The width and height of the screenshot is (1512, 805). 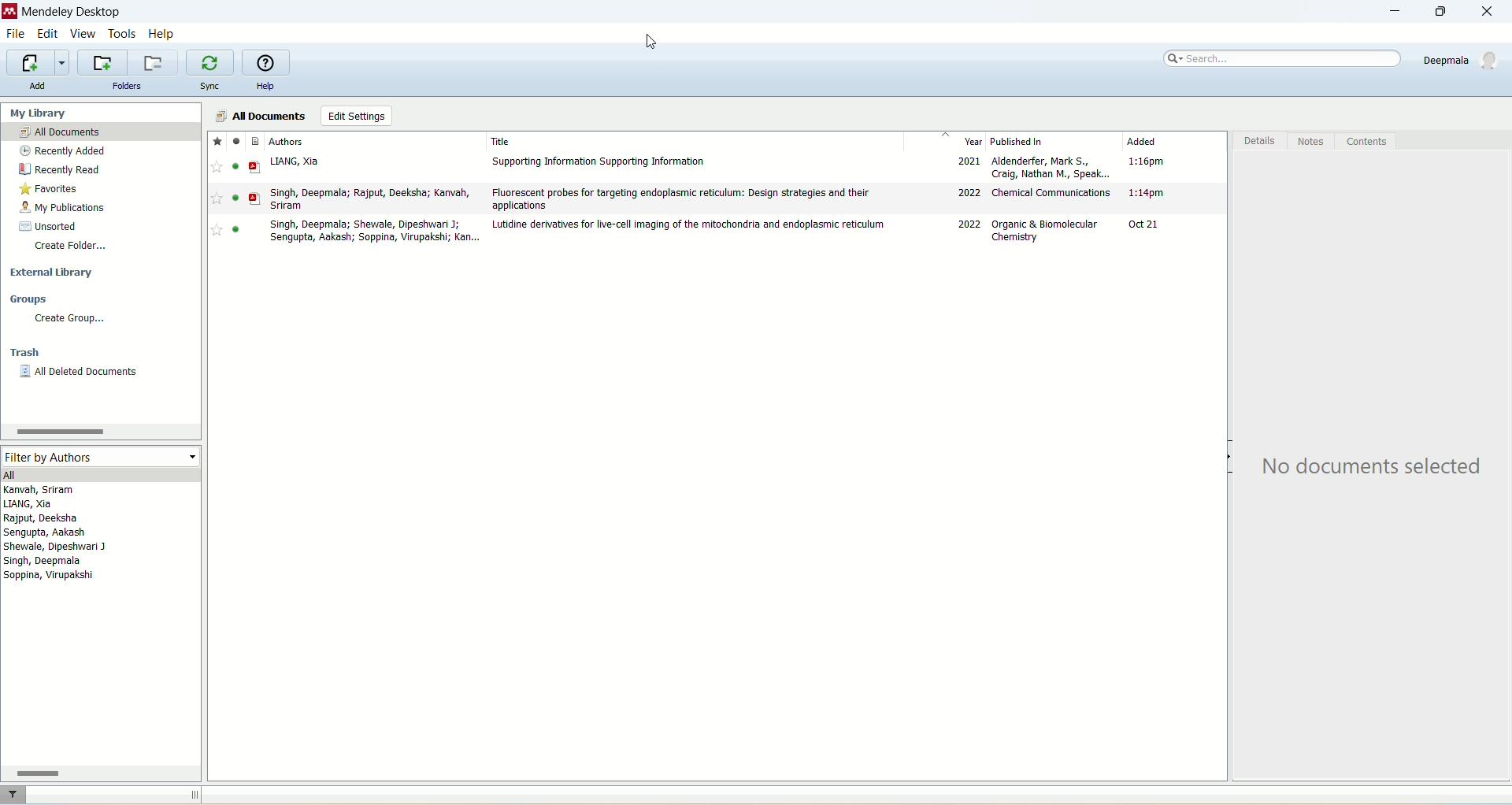 What do you see at coordinates (261, 115) in the screenshot?
I see `all documents` at bounding box center [261, 115].